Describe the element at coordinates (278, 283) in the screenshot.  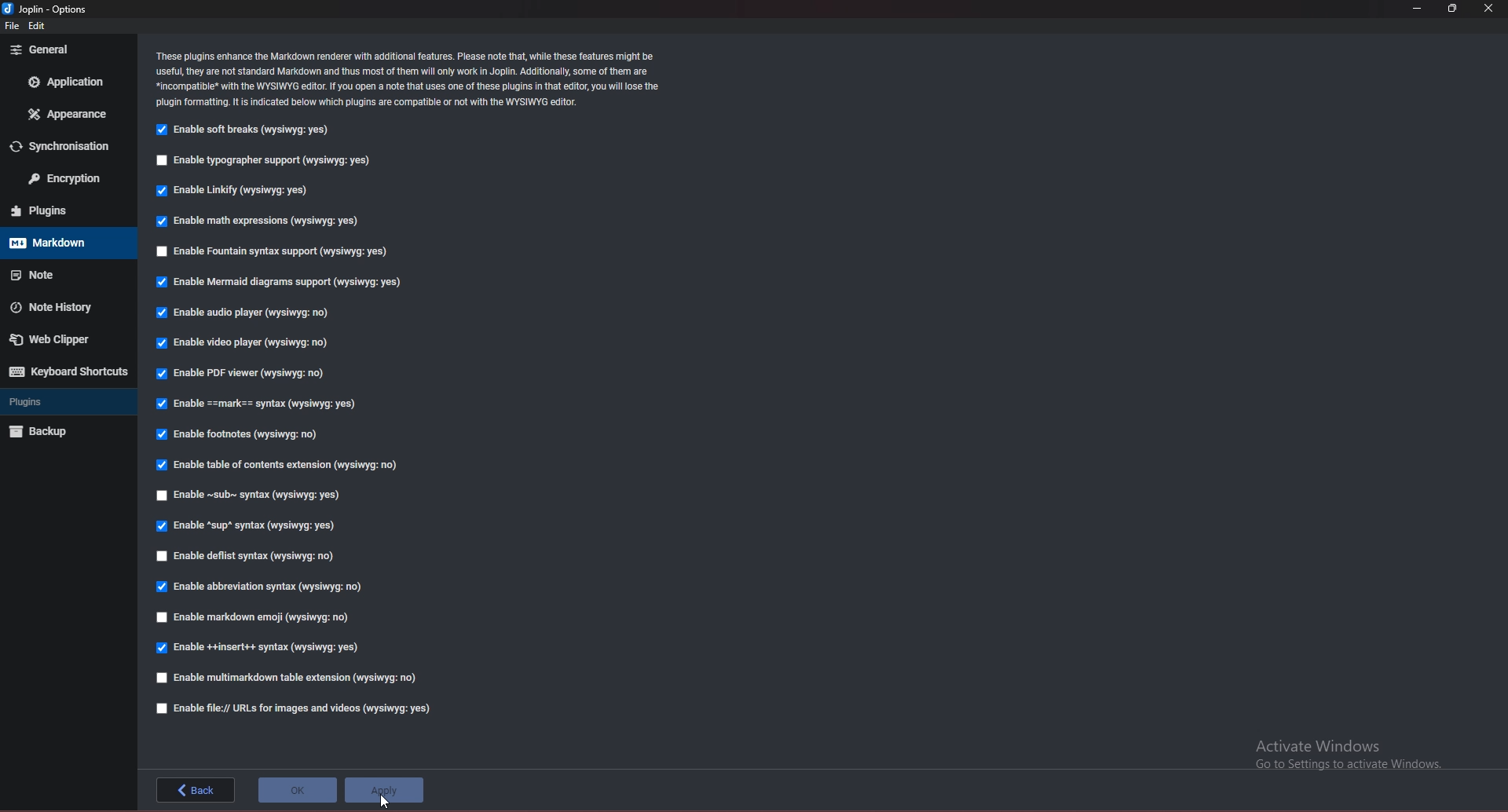
I see `enable mermaid diagrams support` at that location.